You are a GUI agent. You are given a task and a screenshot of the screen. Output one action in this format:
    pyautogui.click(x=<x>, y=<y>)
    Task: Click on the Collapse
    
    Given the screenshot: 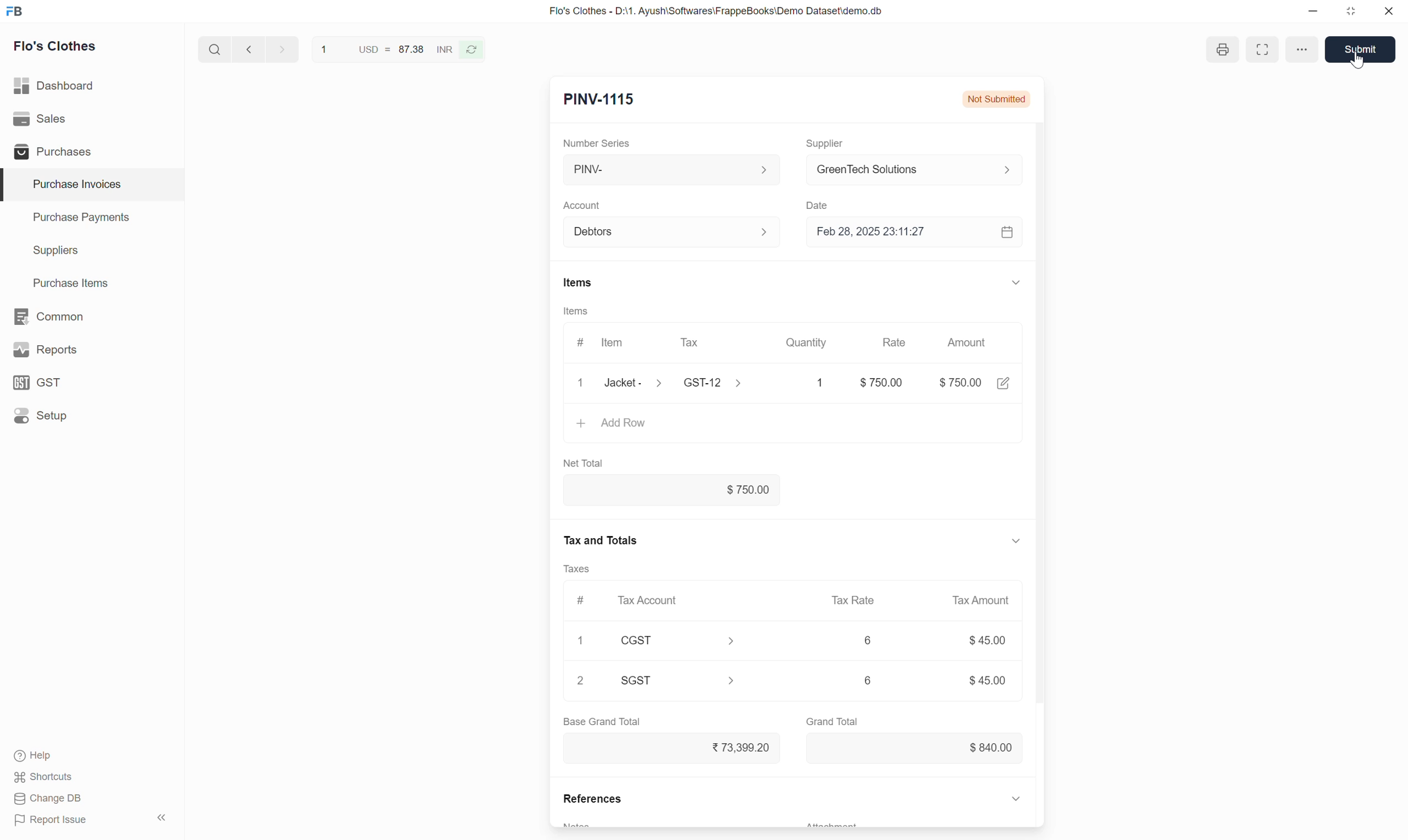 What is the action you would take?
    pyautogui.click(x=1016, y=798)
    